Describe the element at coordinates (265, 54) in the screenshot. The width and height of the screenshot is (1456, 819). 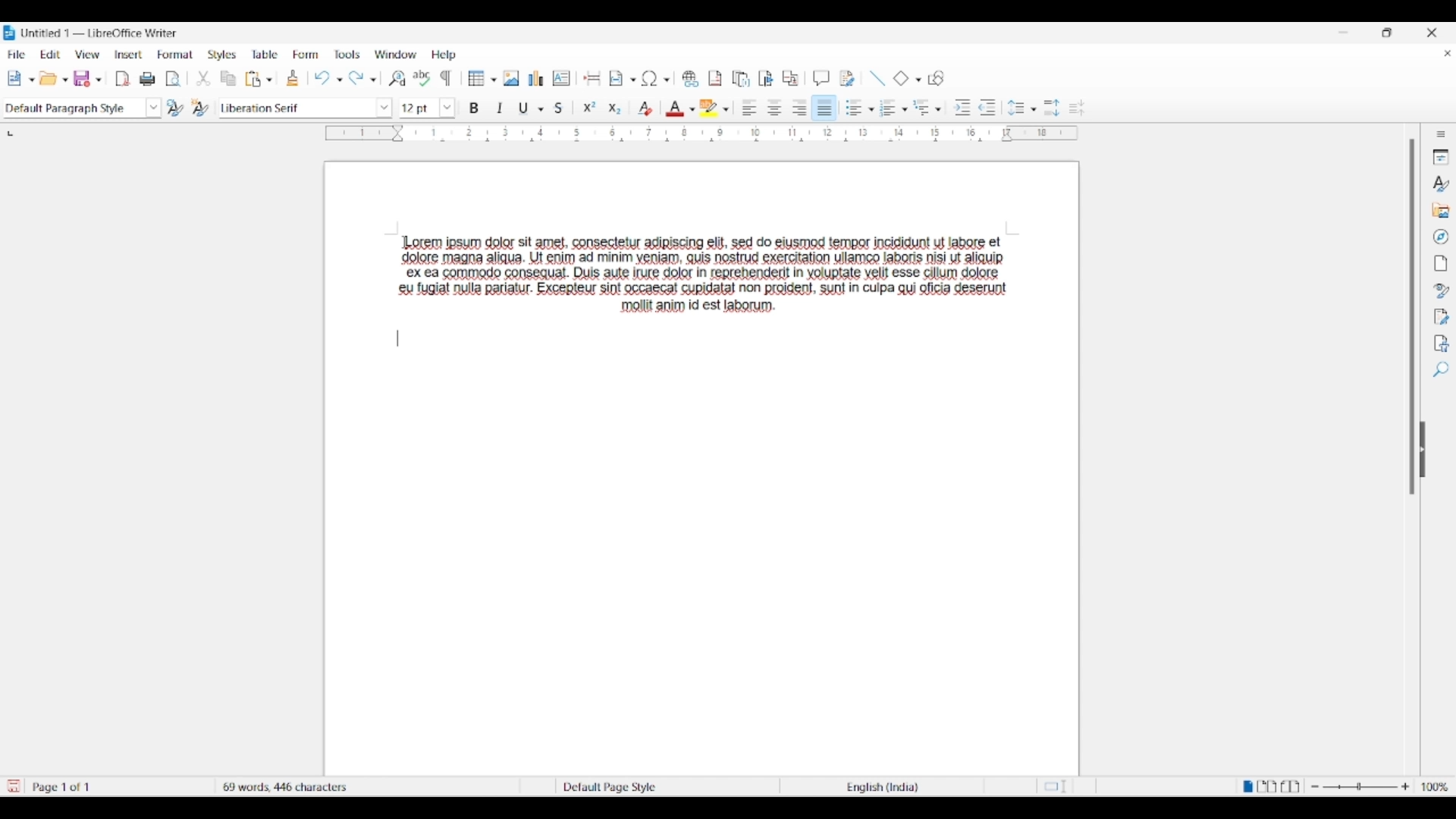
I see `Table` at that location.